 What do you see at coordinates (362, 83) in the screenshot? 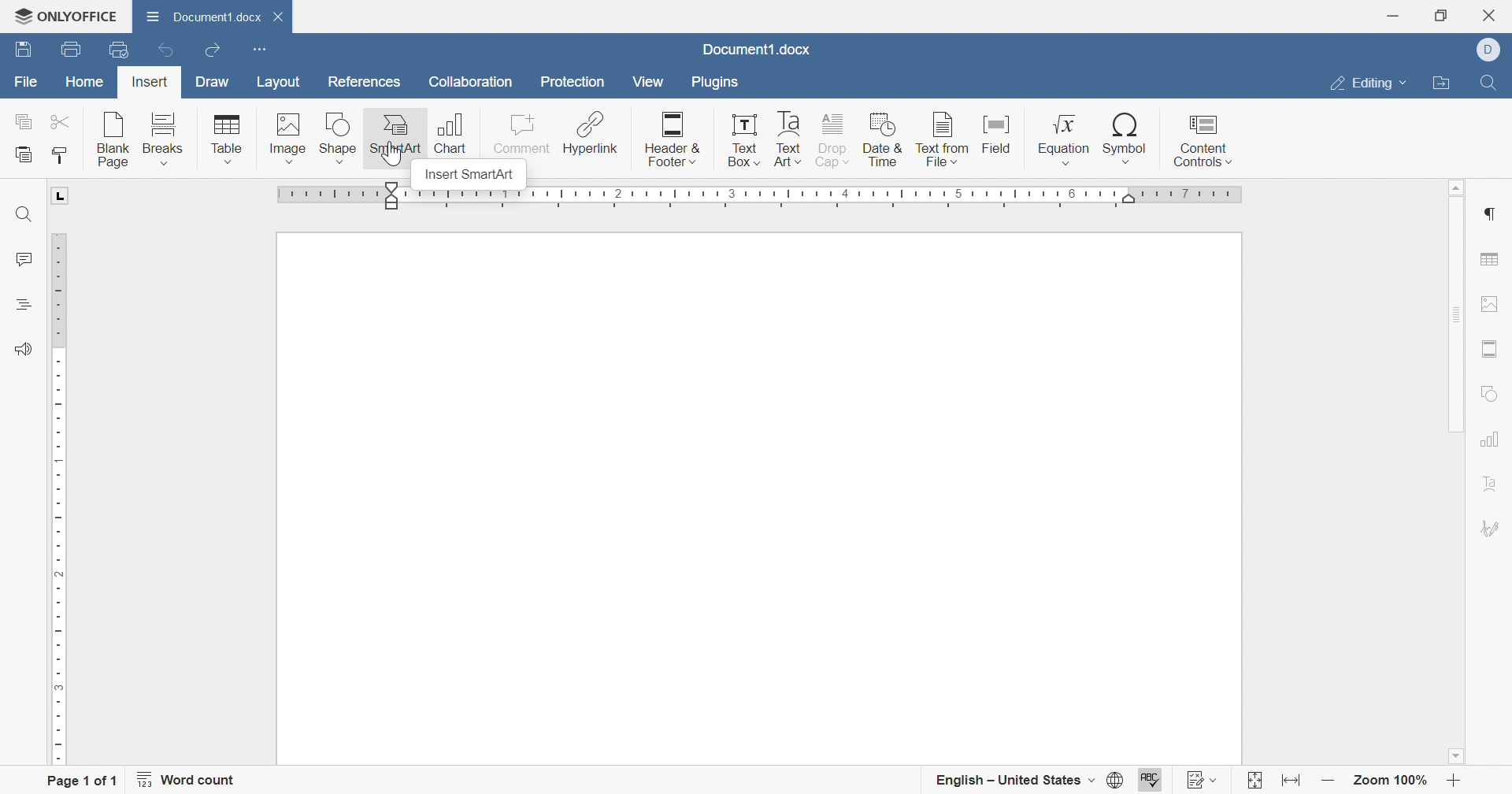
I see `References` at bounding box center [362, 83].